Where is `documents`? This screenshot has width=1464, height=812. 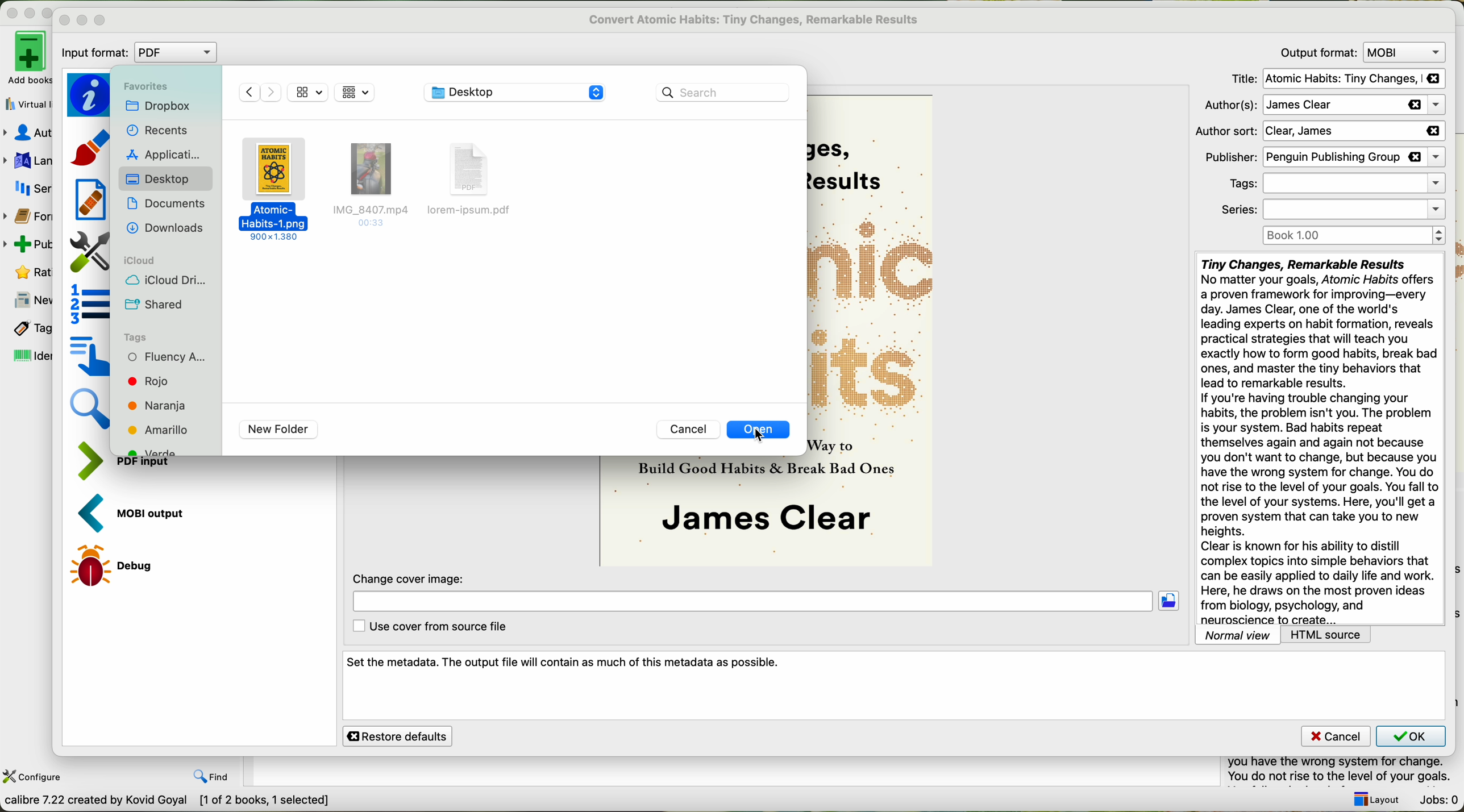
documents is located at coordinates (165, 206).